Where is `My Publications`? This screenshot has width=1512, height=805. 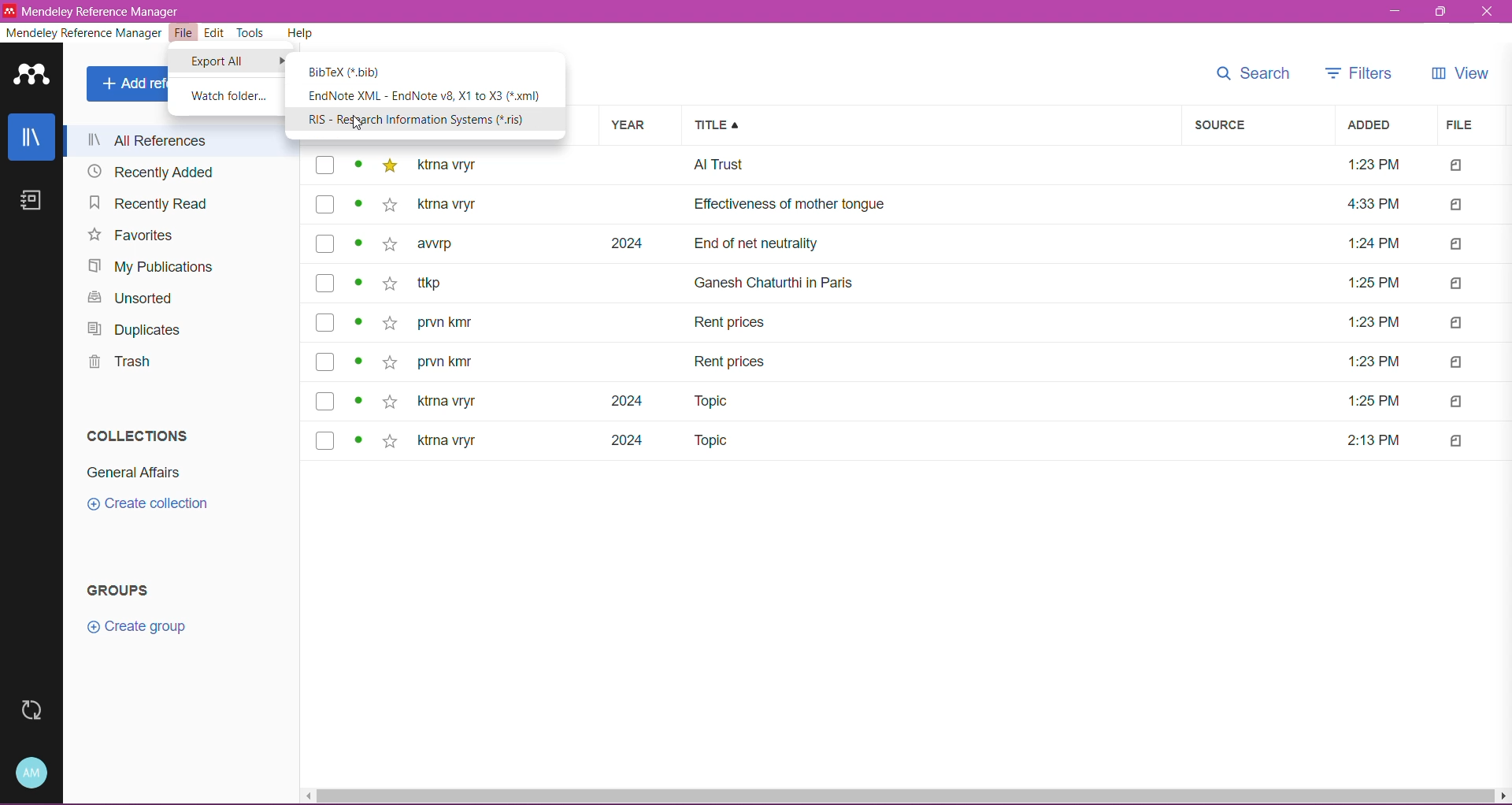
My Publications is located at coordinates (149, 266).